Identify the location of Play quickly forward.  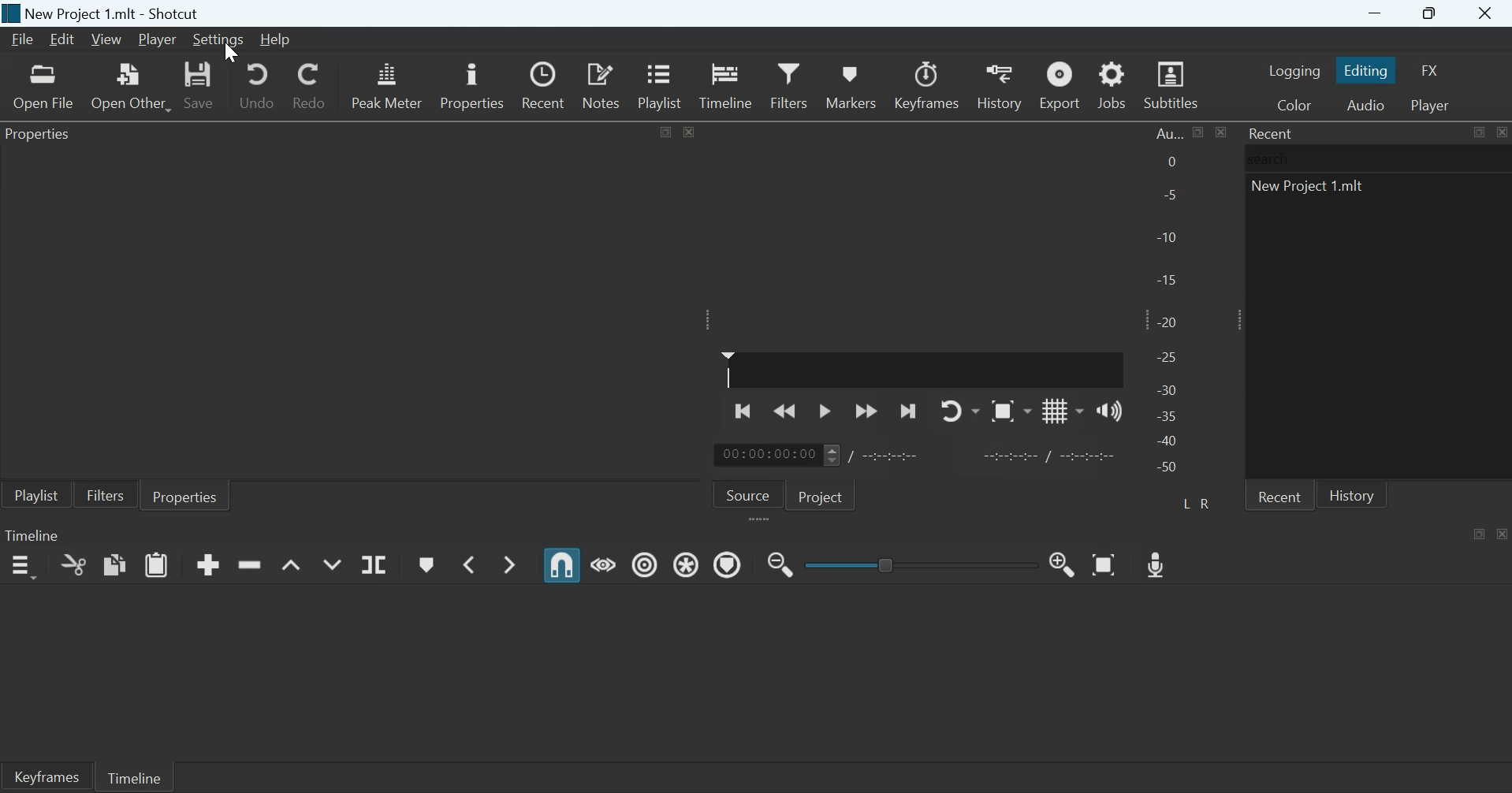
(866, 411).